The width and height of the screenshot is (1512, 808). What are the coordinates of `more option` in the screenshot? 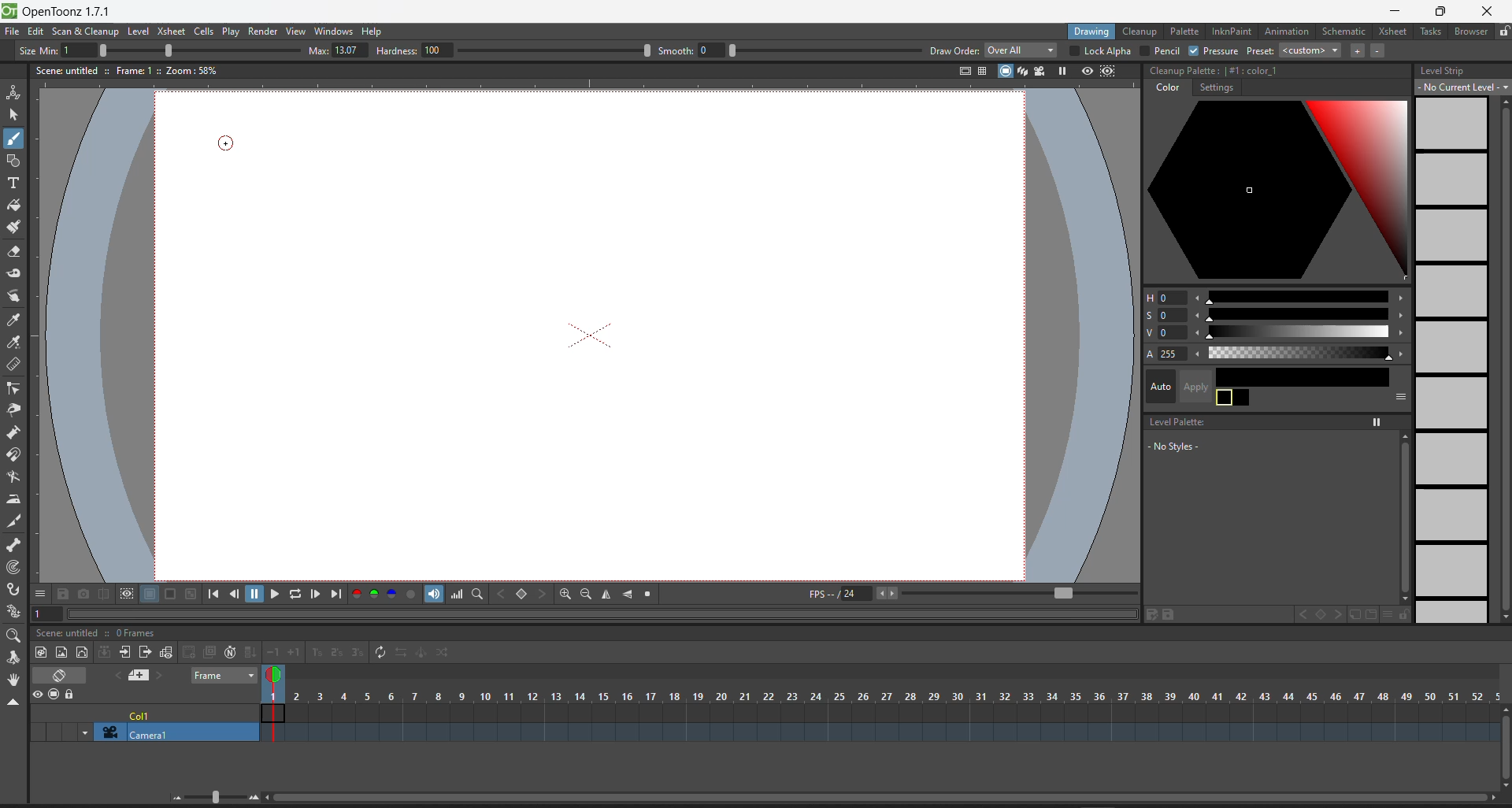 It's located at (1384, 614).